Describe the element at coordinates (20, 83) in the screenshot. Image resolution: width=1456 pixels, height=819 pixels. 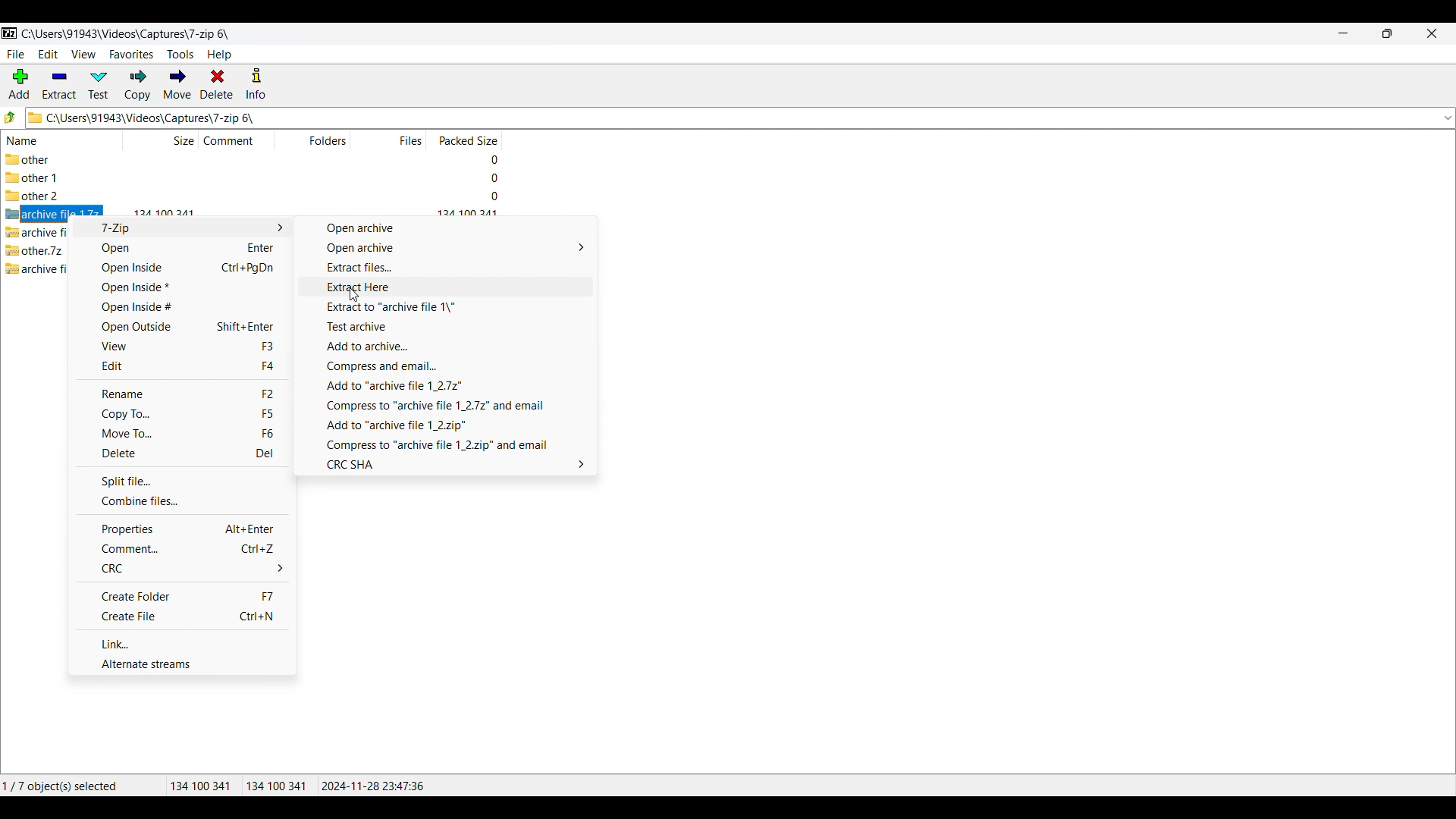
I see `Add` at that location.